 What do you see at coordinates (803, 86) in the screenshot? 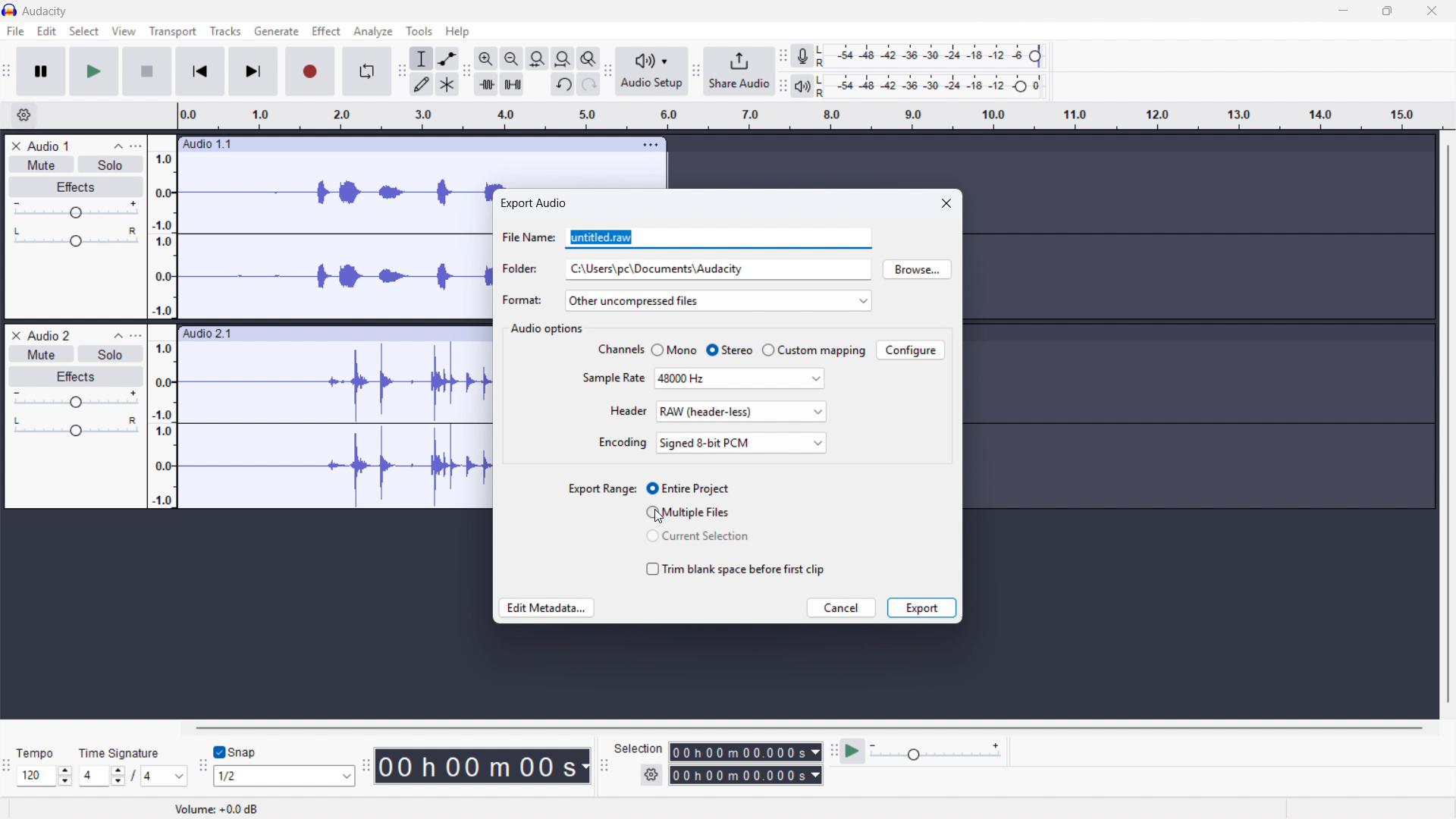
I see ` Playback metre` at bounding box center [803, 86].